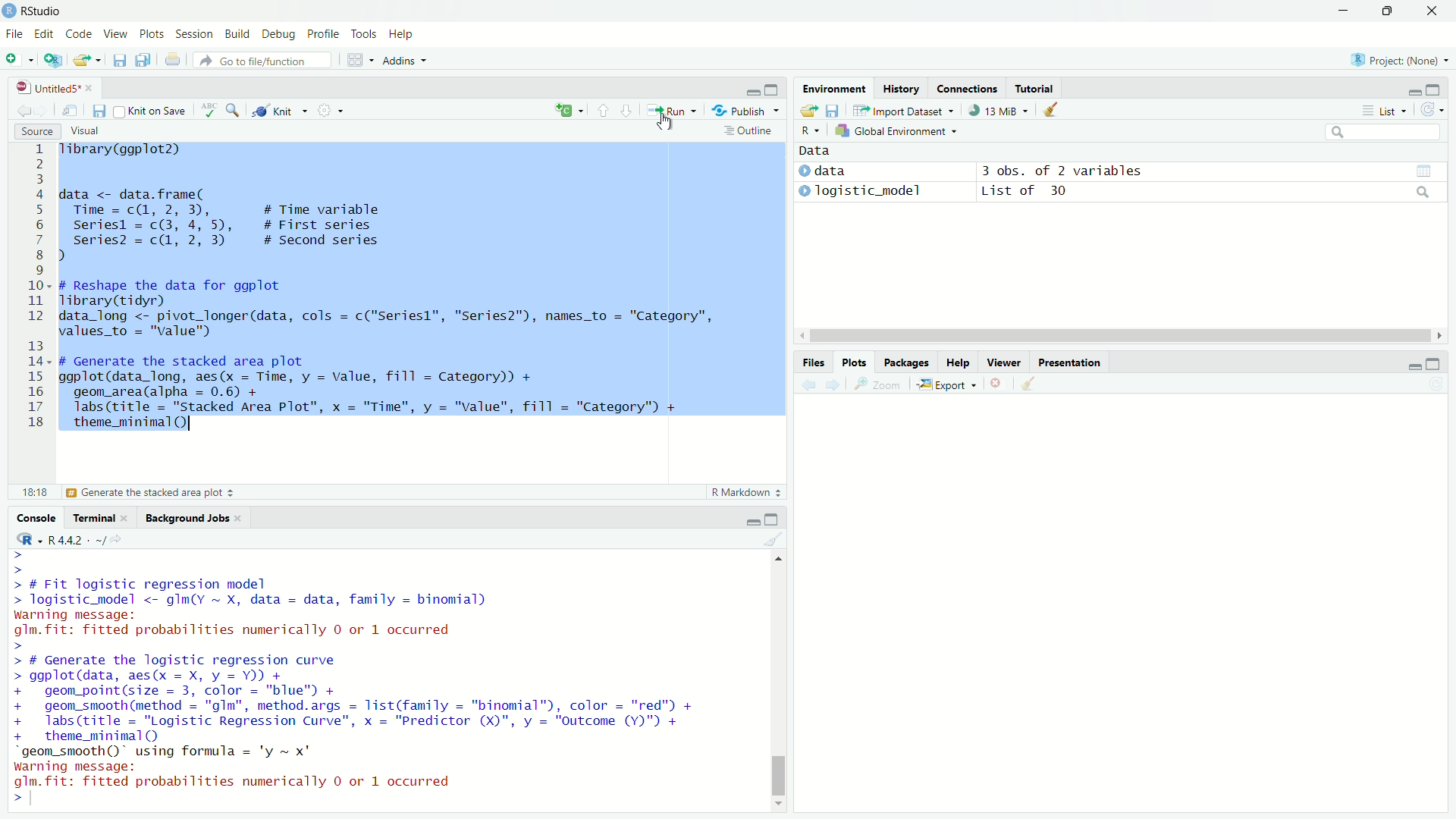 This screenshot has width=1456, height=819. I want to click on save, so click(808, 111).